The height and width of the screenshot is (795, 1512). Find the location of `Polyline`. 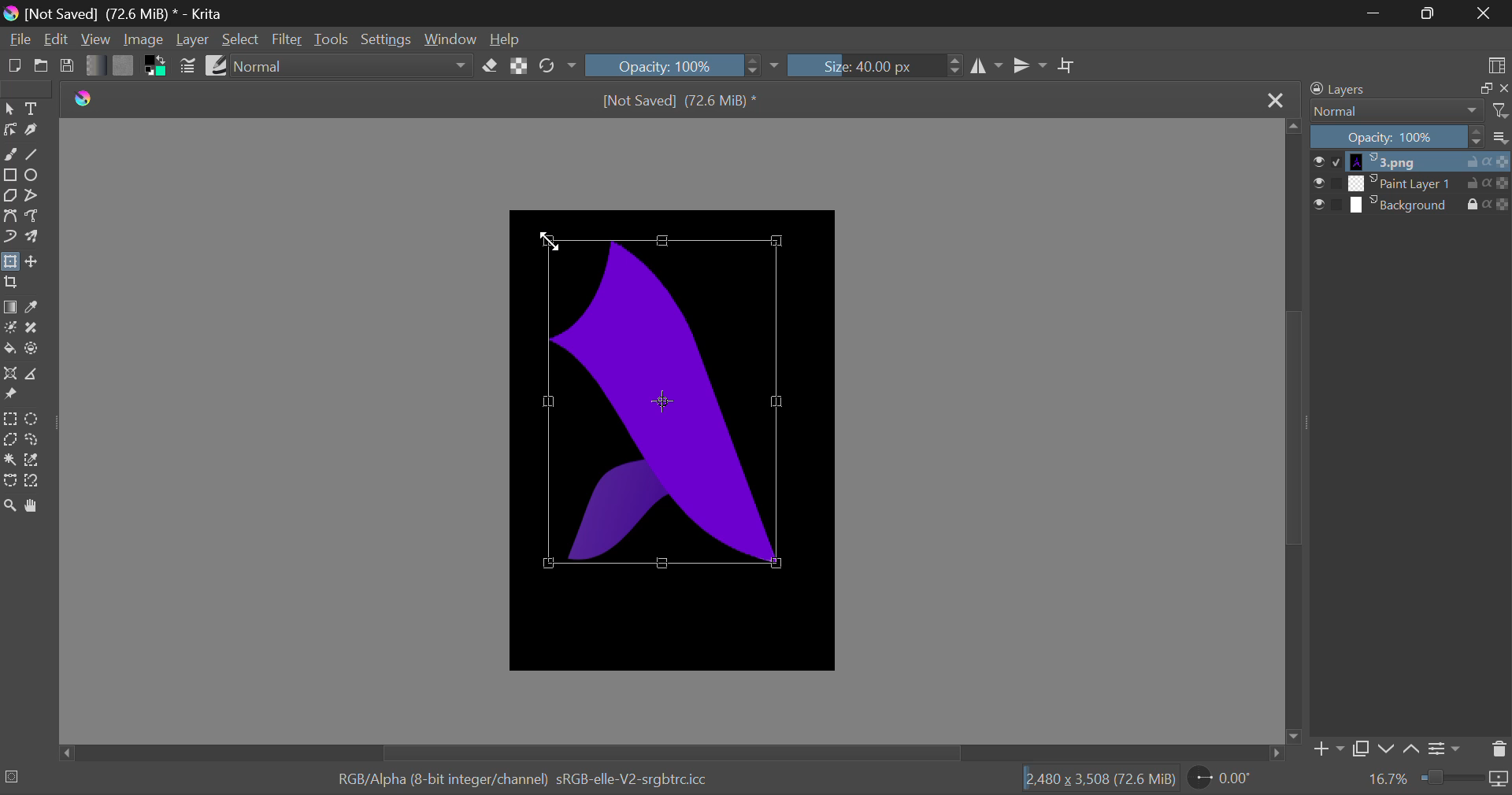

Polyline is located at coordinates (37, 195).